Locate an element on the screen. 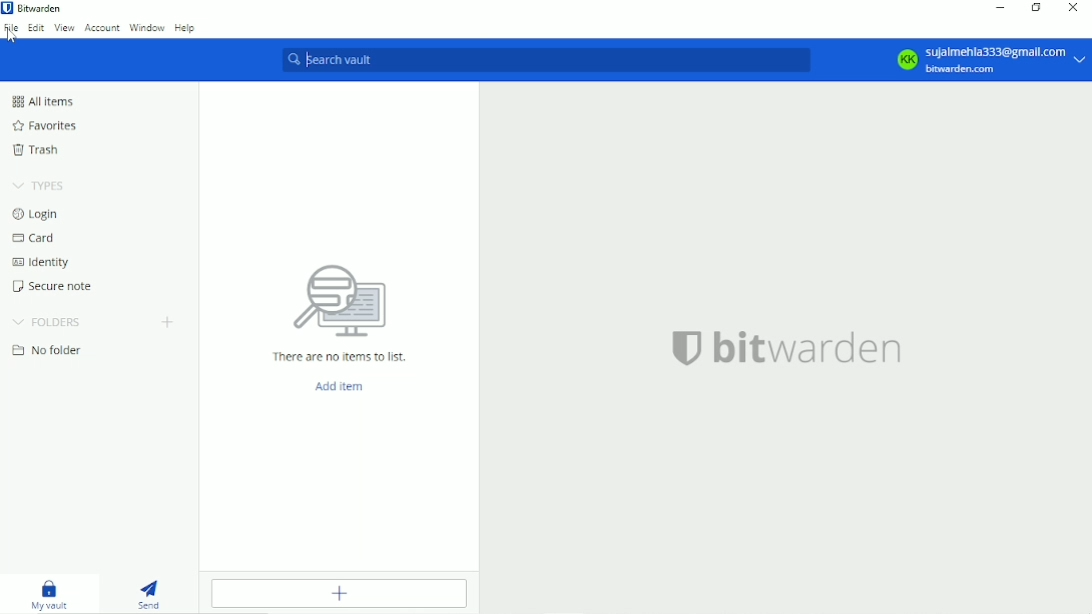 Image resolution: width=1092 pixels, height=614 pixels. View is located at coordinates (64, 28).